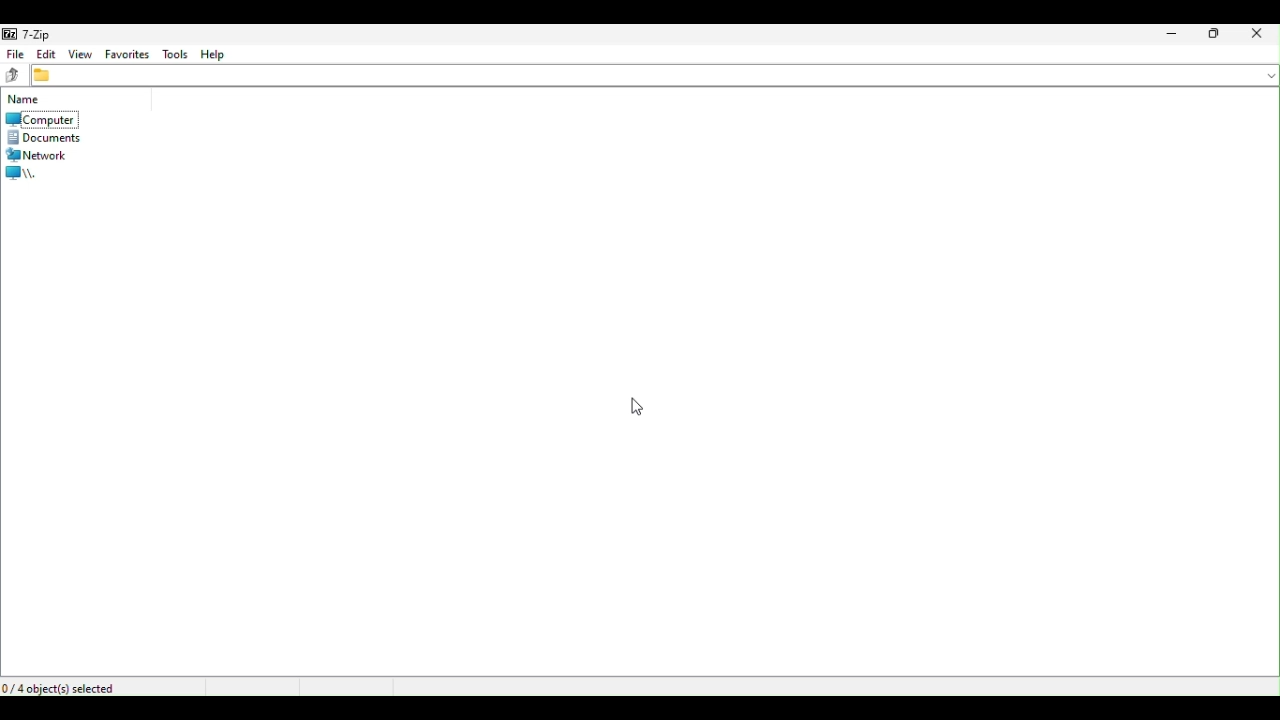 This screenshot has width=1280, height=720. What do you see at coordinates (1262, 34) in the screenshot?
I see `Close ` at bounding box center [1262, 34].